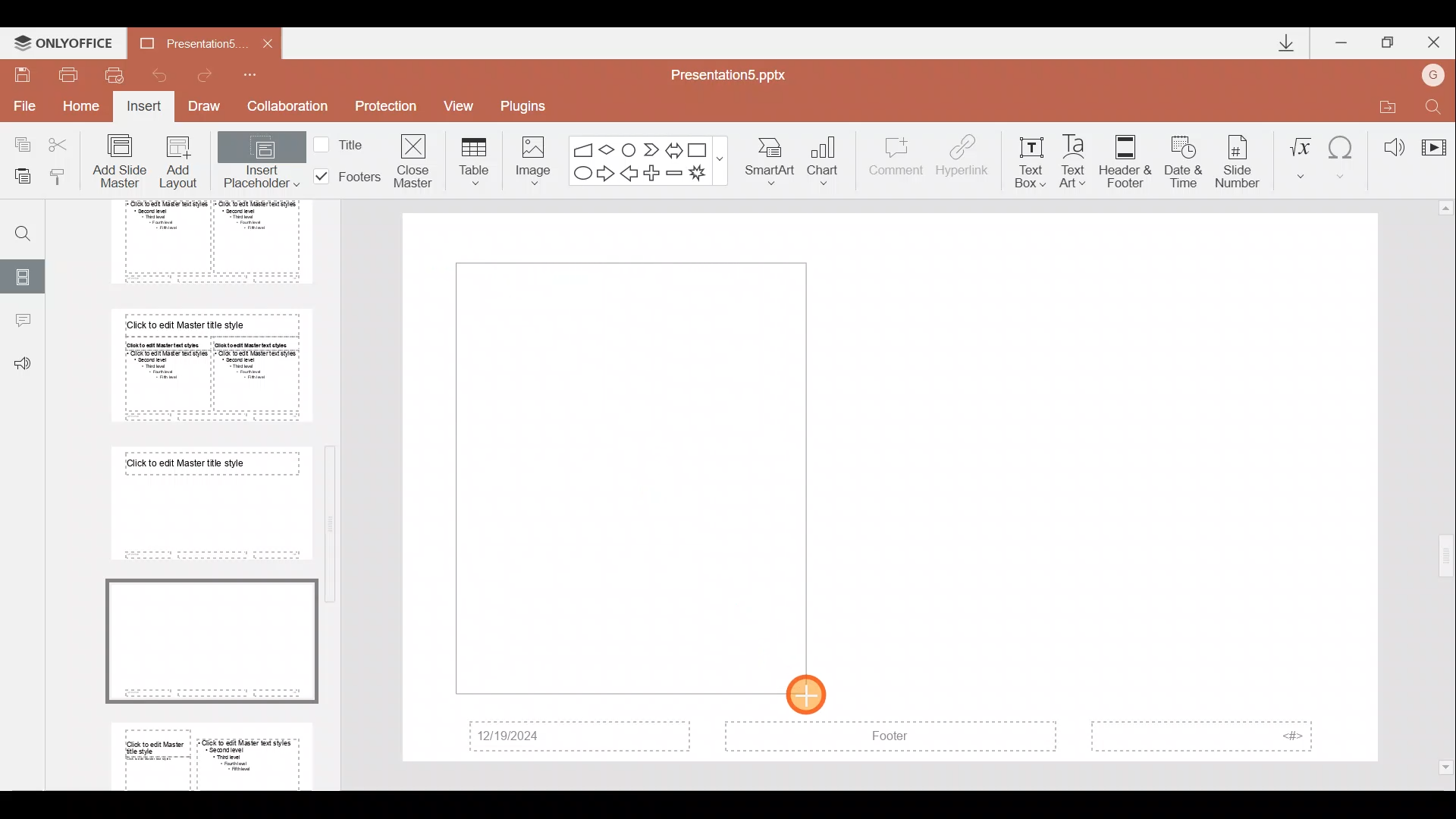  Describe the element at coordinates (1436, 73) in the screenshot. I see `Account name` at that location.